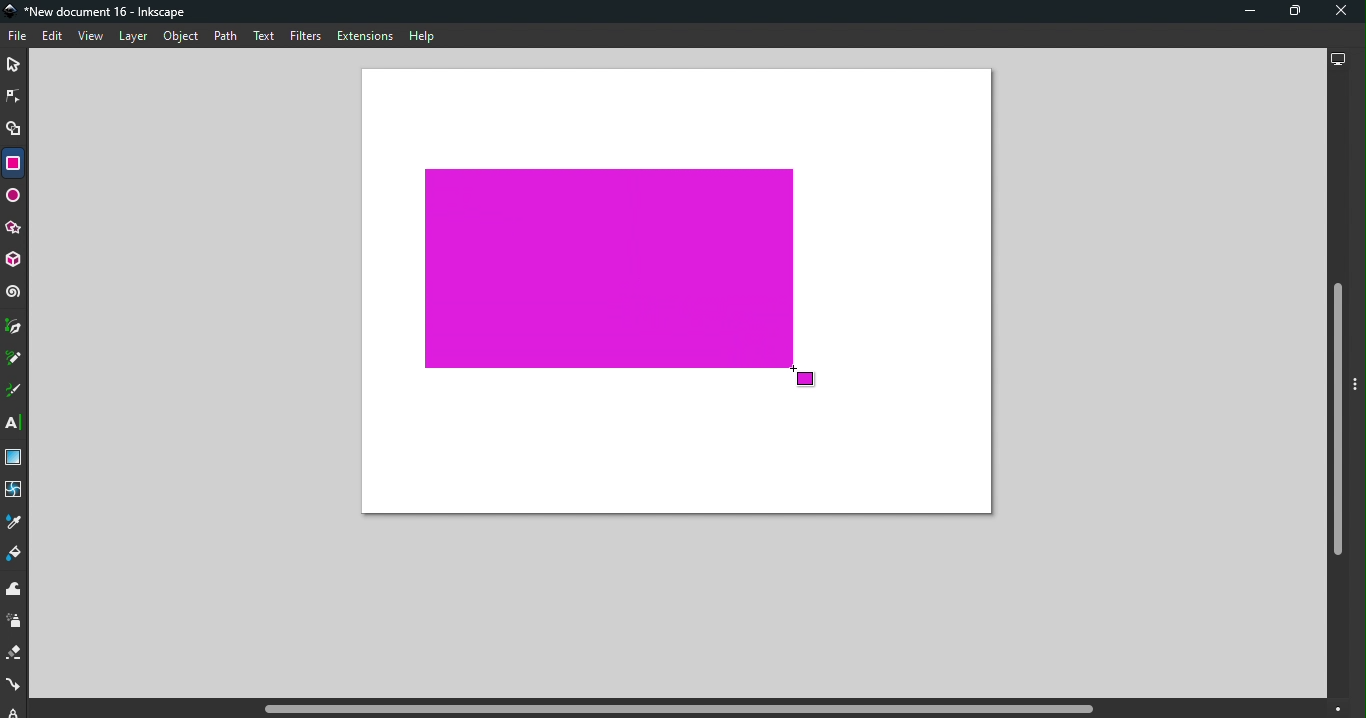 The width and height of the screenshot is (1366, 718). Describe the element at coordinates (804, 376) in the screenshot. I see `Cursor` at that location.